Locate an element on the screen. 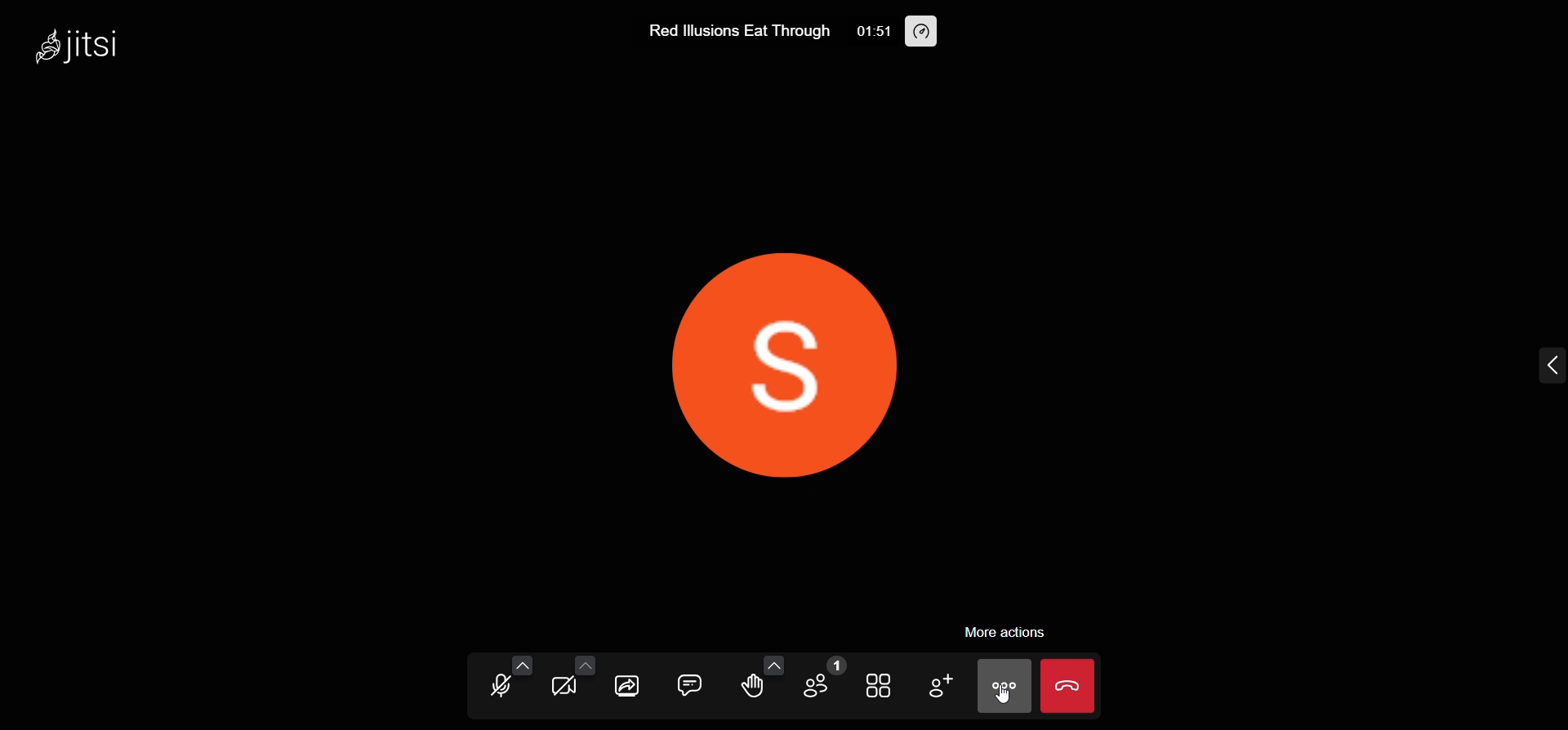 Image resolution: width=1568 pixels, height=730 pixels. tile view is located at coordinates (881, 684).